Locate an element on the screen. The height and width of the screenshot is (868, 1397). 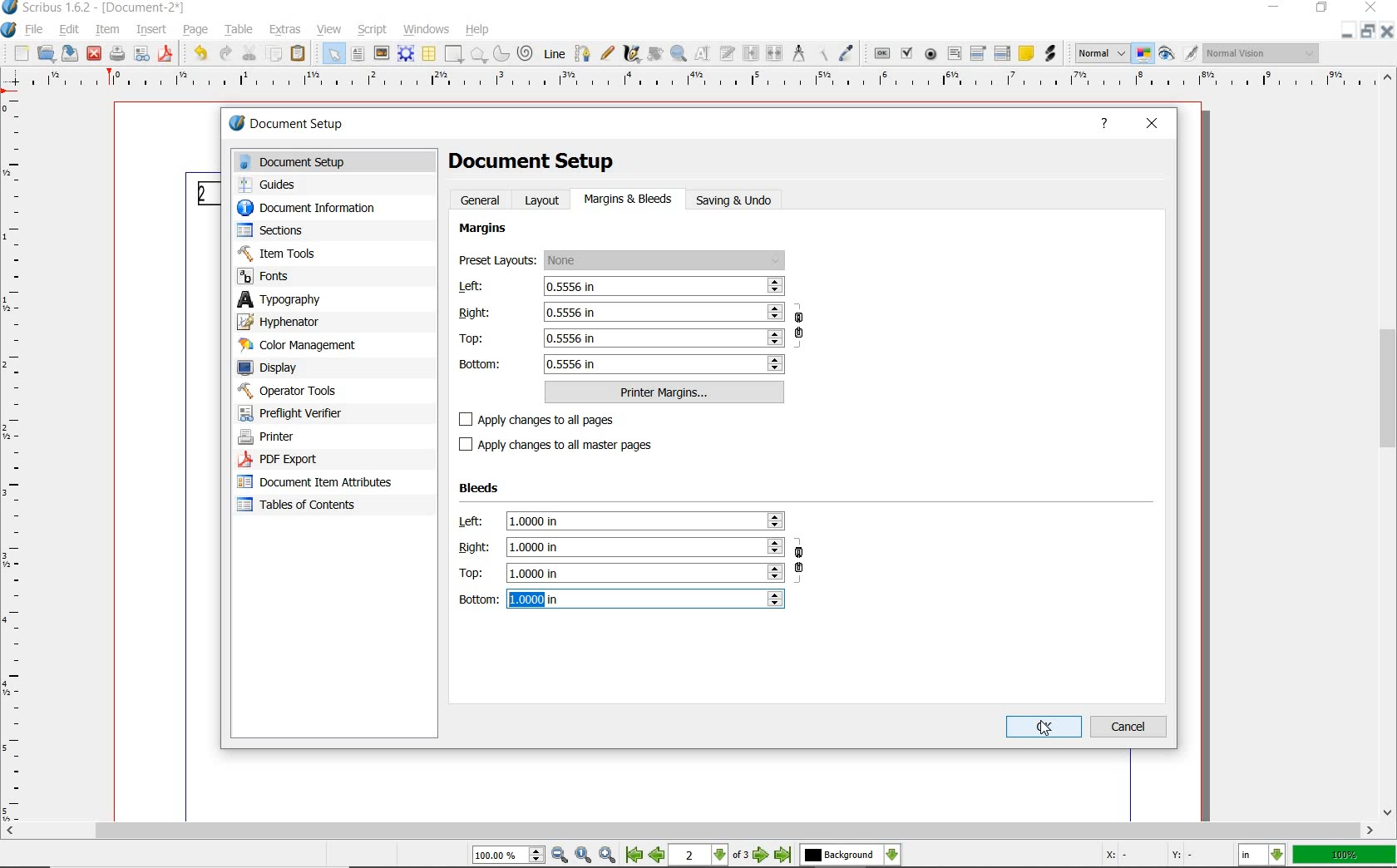
saving & undo is located at coordinates (743, 201).